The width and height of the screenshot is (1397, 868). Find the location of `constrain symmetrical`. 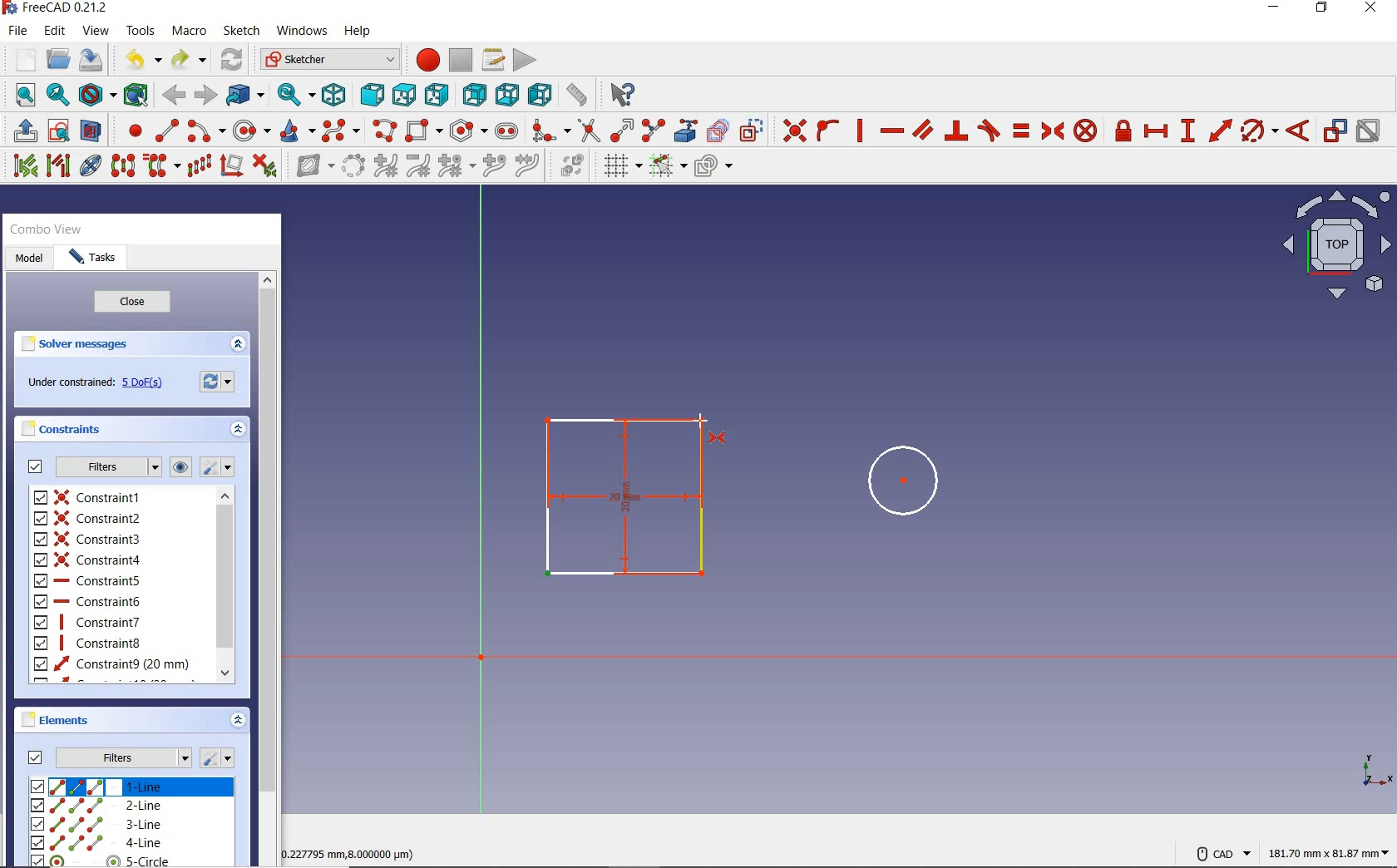

constrain symmetrical is located at coordinates (1054, 131).